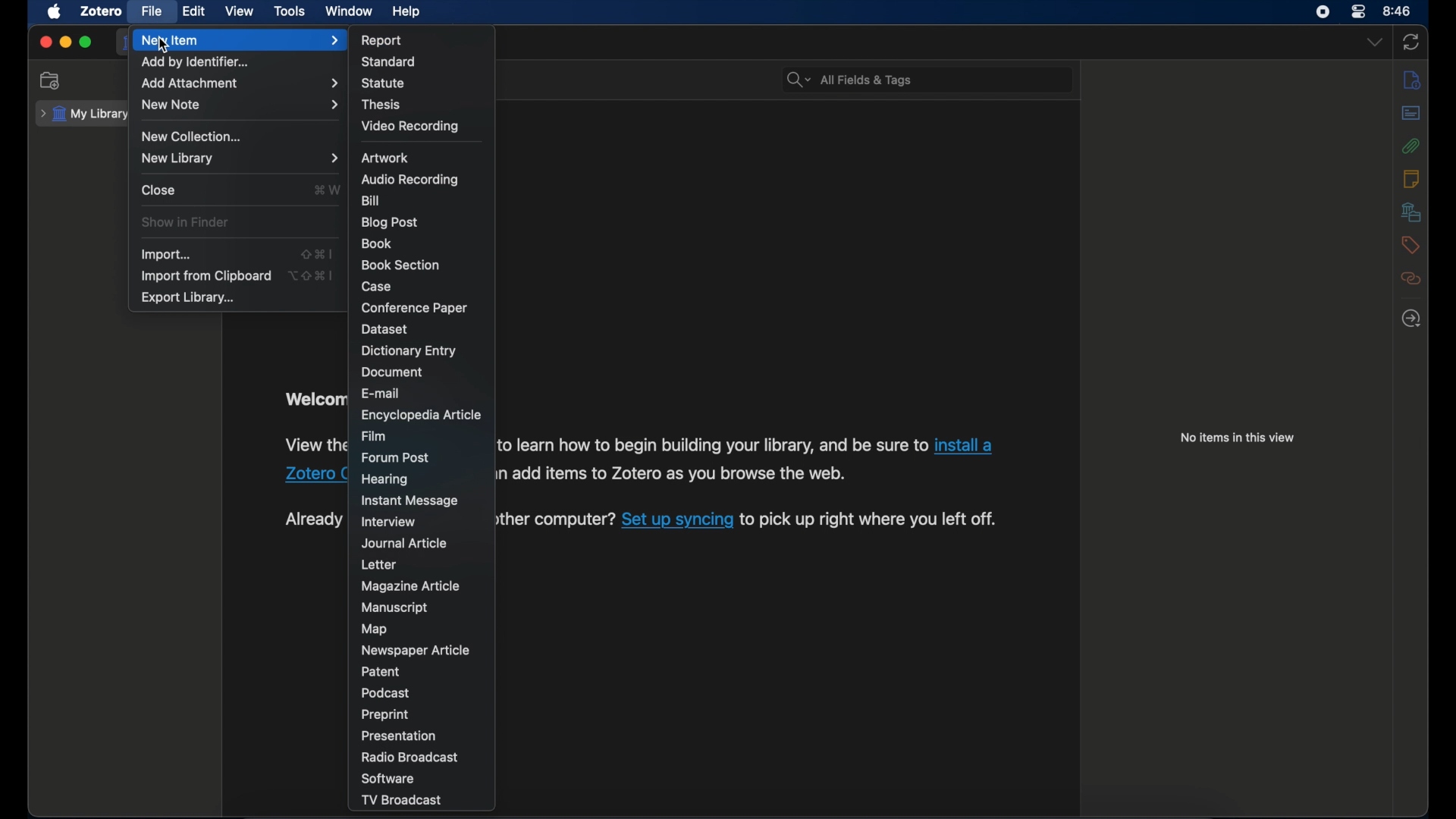 The image size is (1456, 819). I want to click on hearing, so click(385, 478).